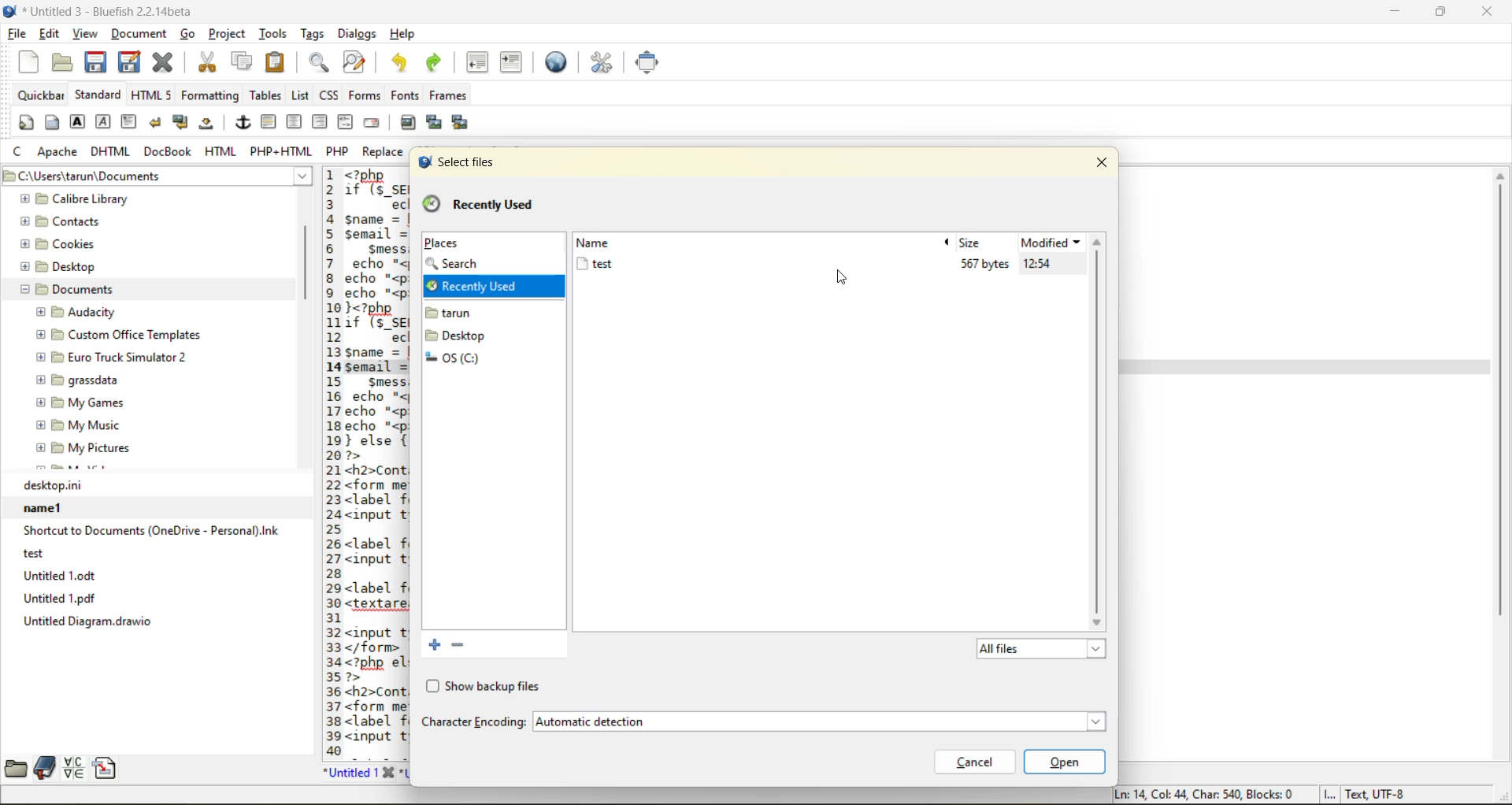 This screenshot has width=1512, height=805. I want to click on open, so click(1064, 762).